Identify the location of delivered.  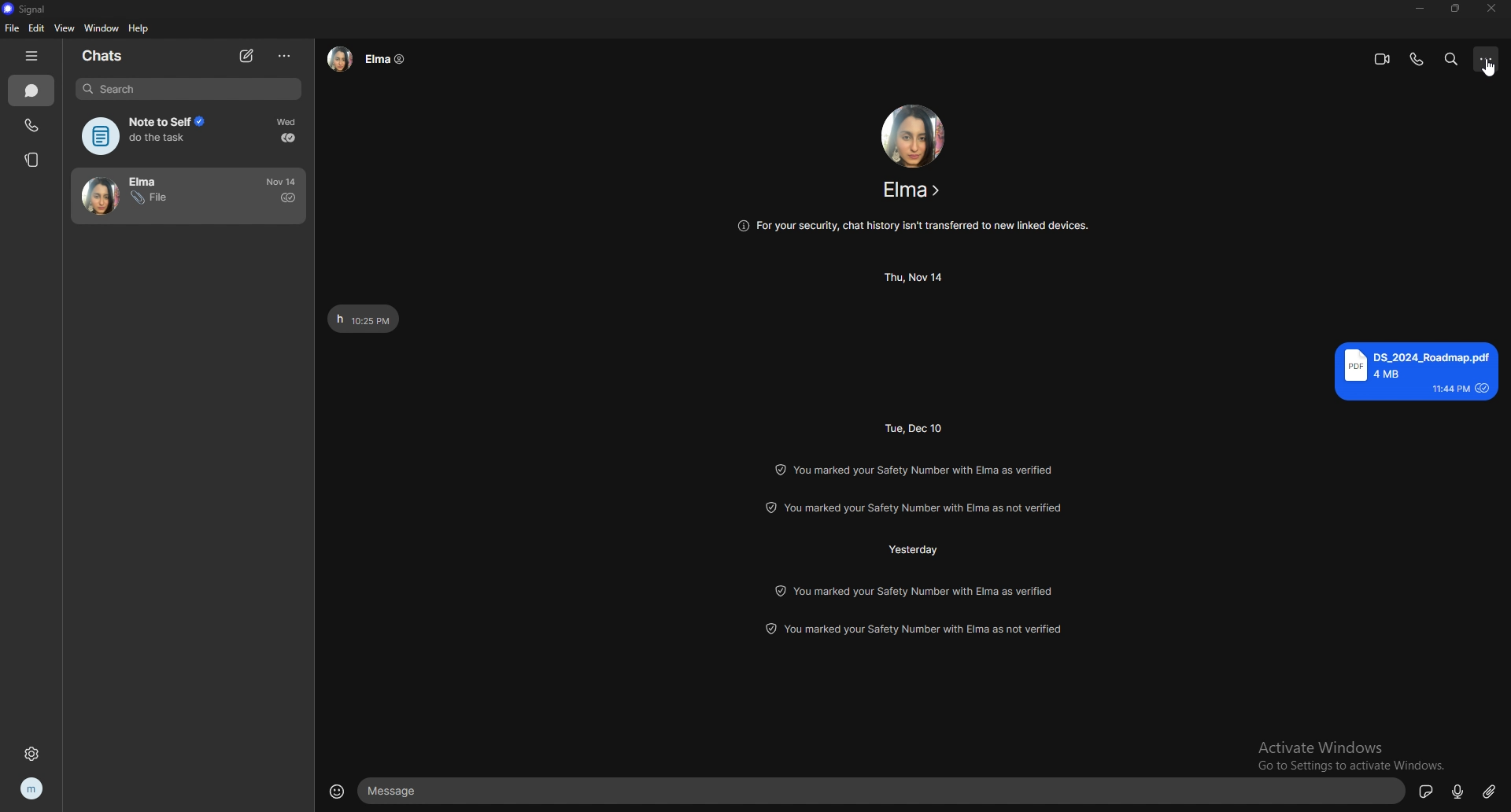
(288, 138).